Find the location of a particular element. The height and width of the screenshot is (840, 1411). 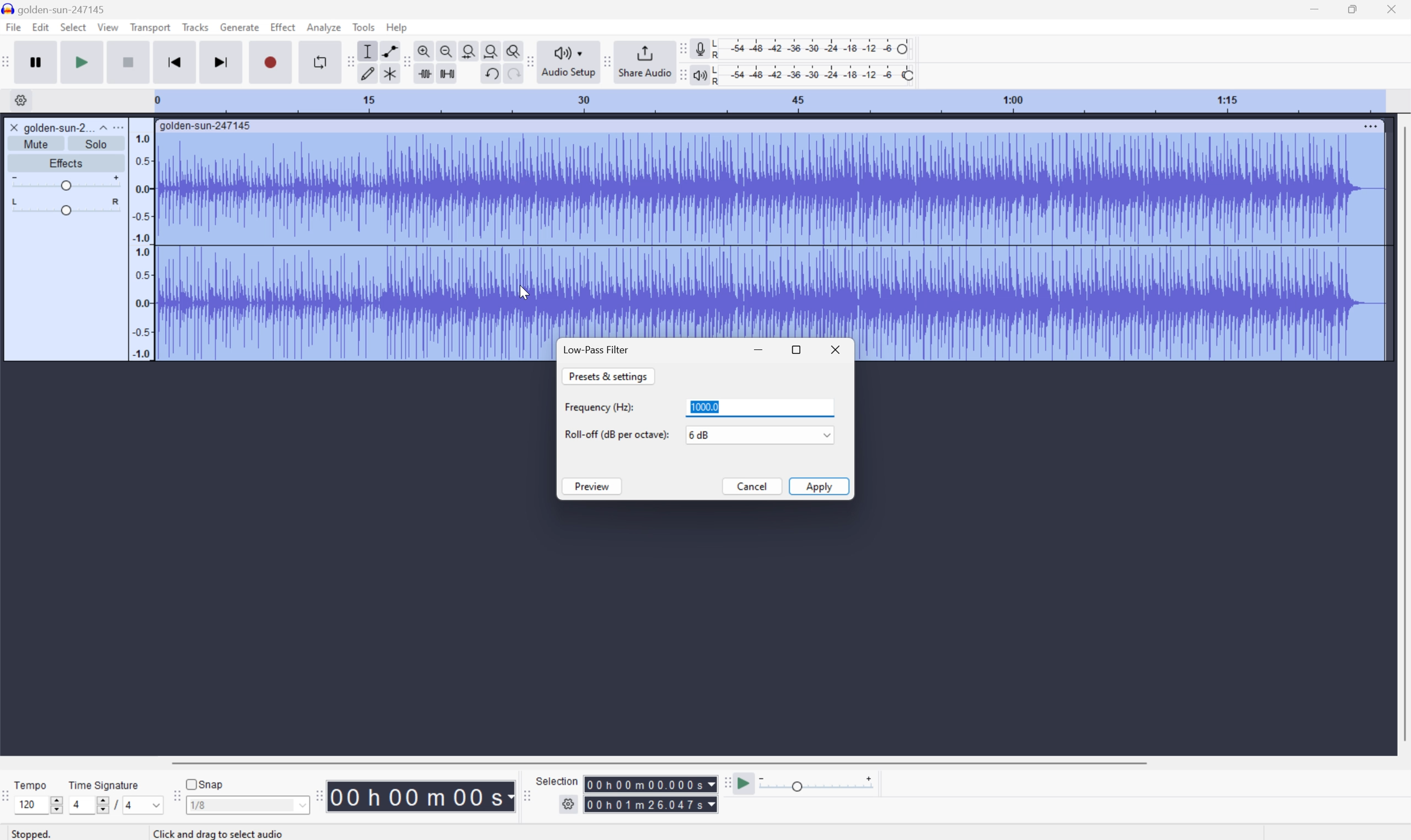

Trim audio outside selection is located at coordinates (427, 74).